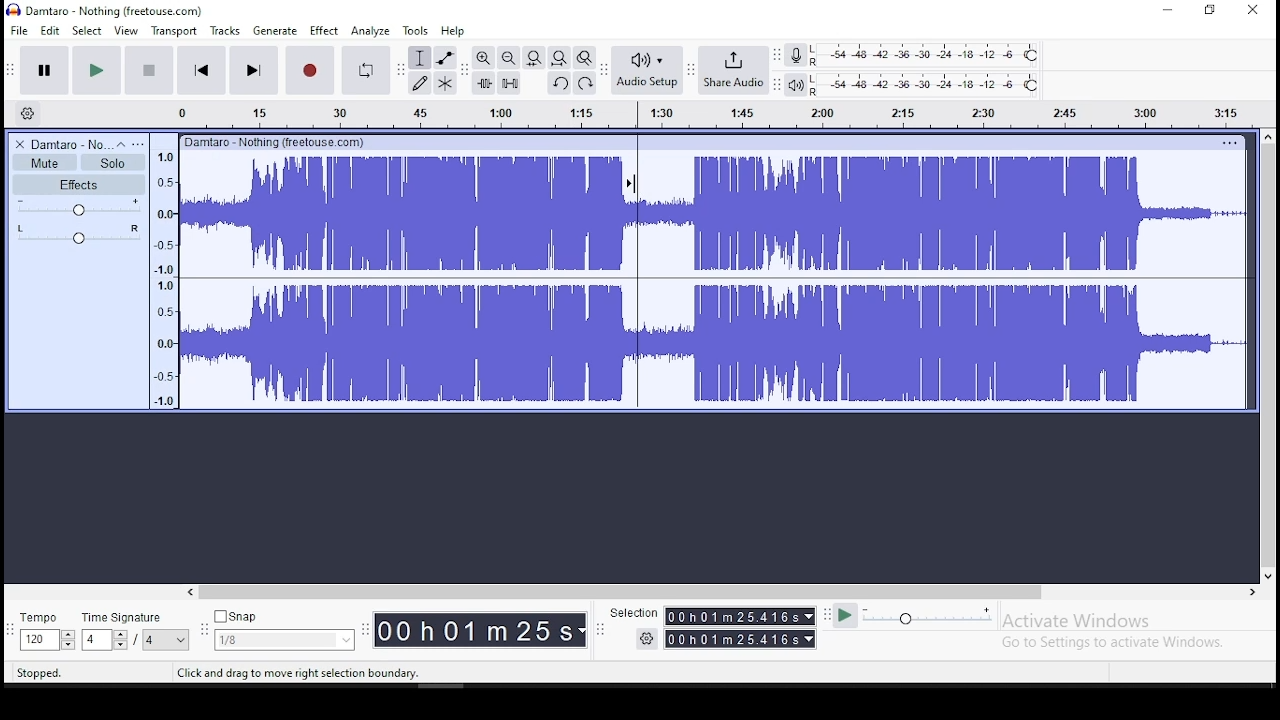 This screenshot has width=1280, height=720. What do you see at coordinates (931, 617) in the screenshot?
I see `playback speed` at bounding box center [931, 617].